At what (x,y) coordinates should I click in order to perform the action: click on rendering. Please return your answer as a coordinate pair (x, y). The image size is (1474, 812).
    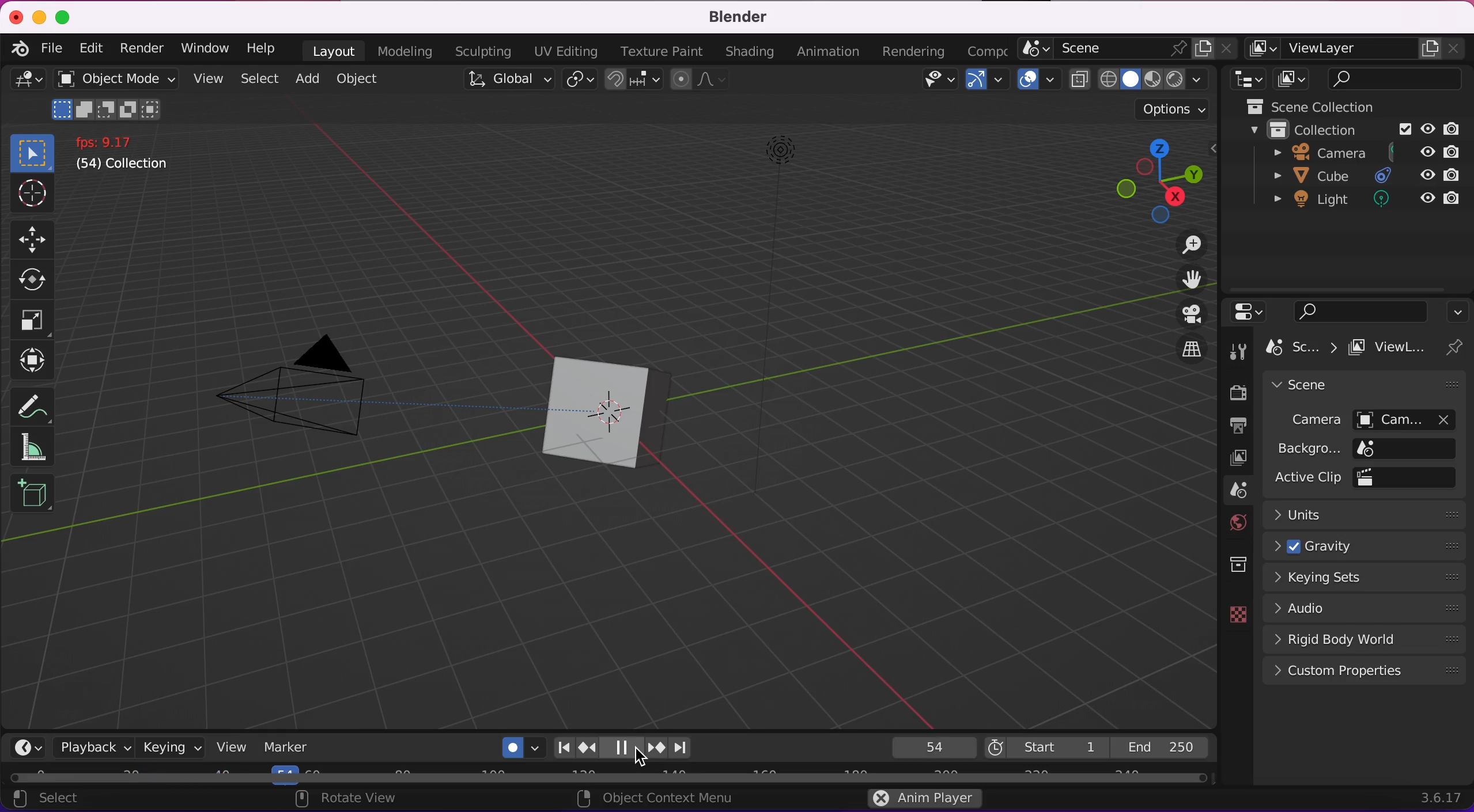
    Looking at the image, I should click on (919, 50).